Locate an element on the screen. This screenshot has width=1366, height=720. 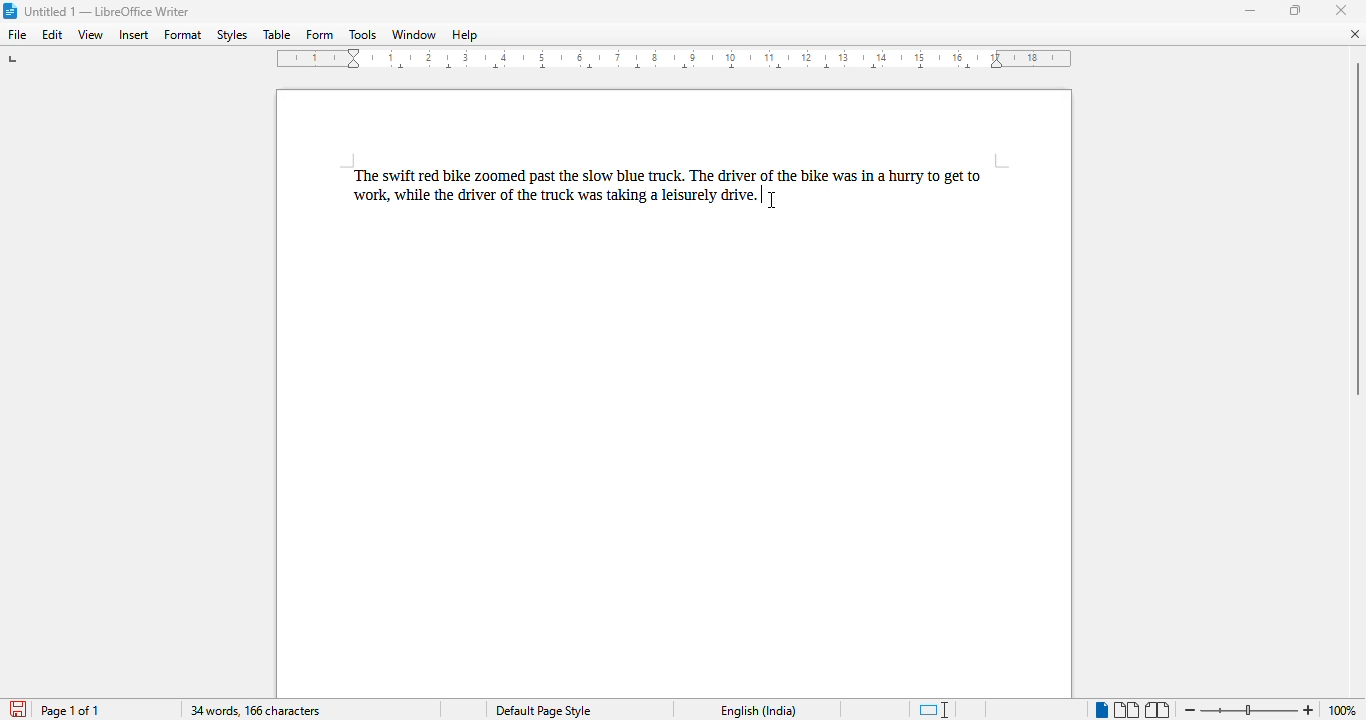
standard selection is located at coordinates (934, 710).